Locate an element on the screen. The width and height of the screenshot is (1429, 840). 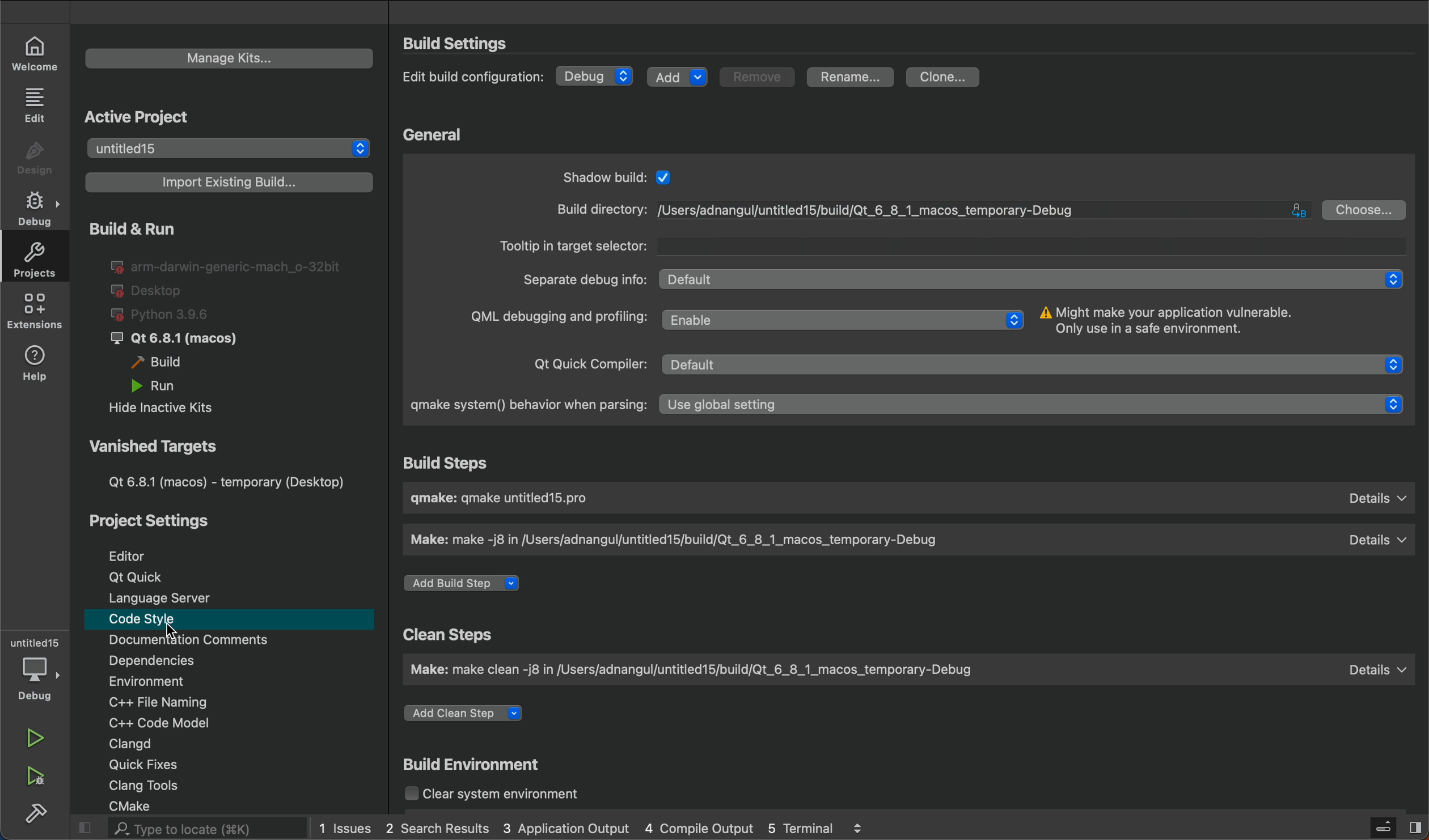
general is located at coordinates (437, 134).